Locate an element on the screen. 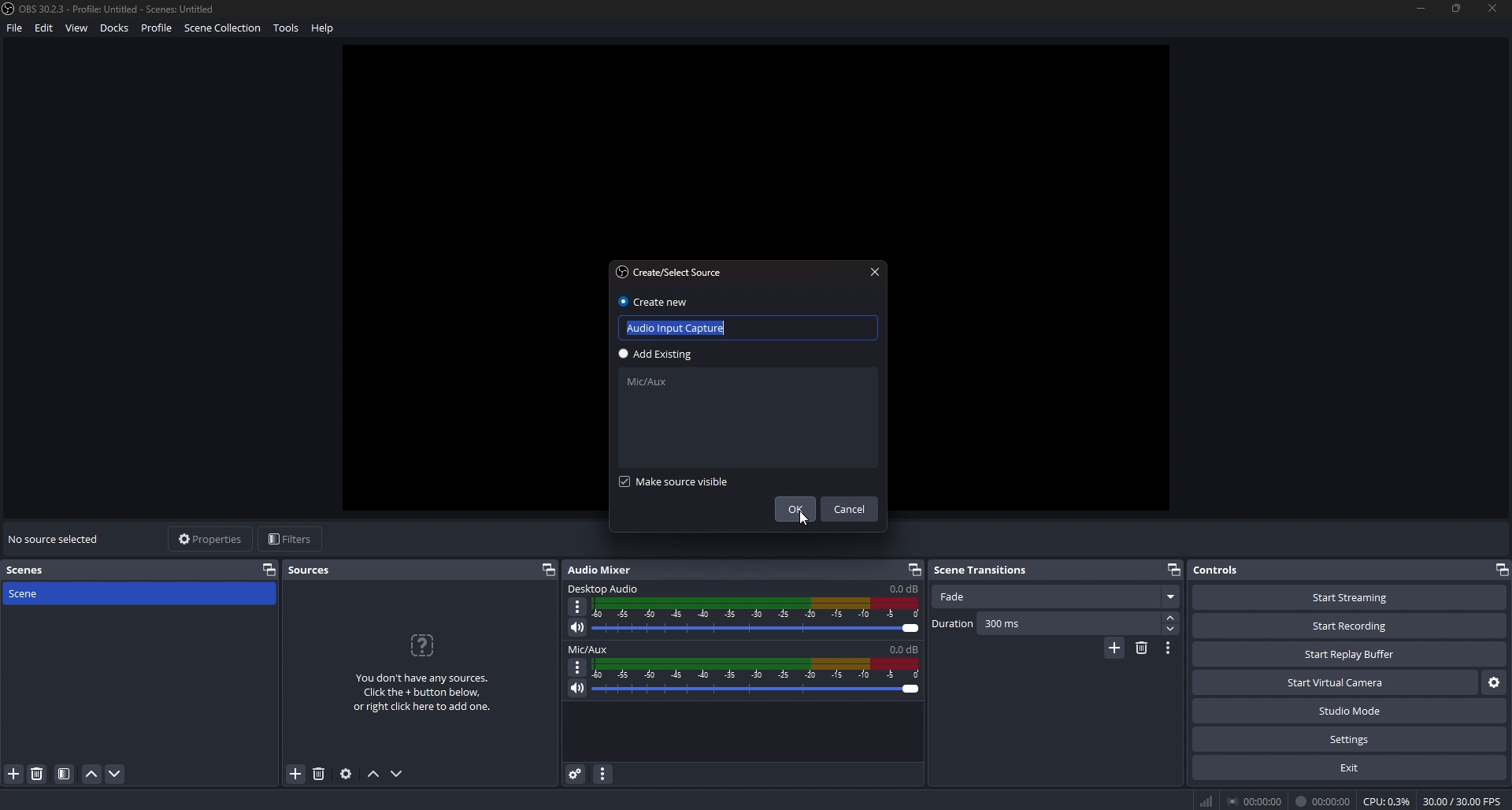  pop out is located at coordinates (549, 570).